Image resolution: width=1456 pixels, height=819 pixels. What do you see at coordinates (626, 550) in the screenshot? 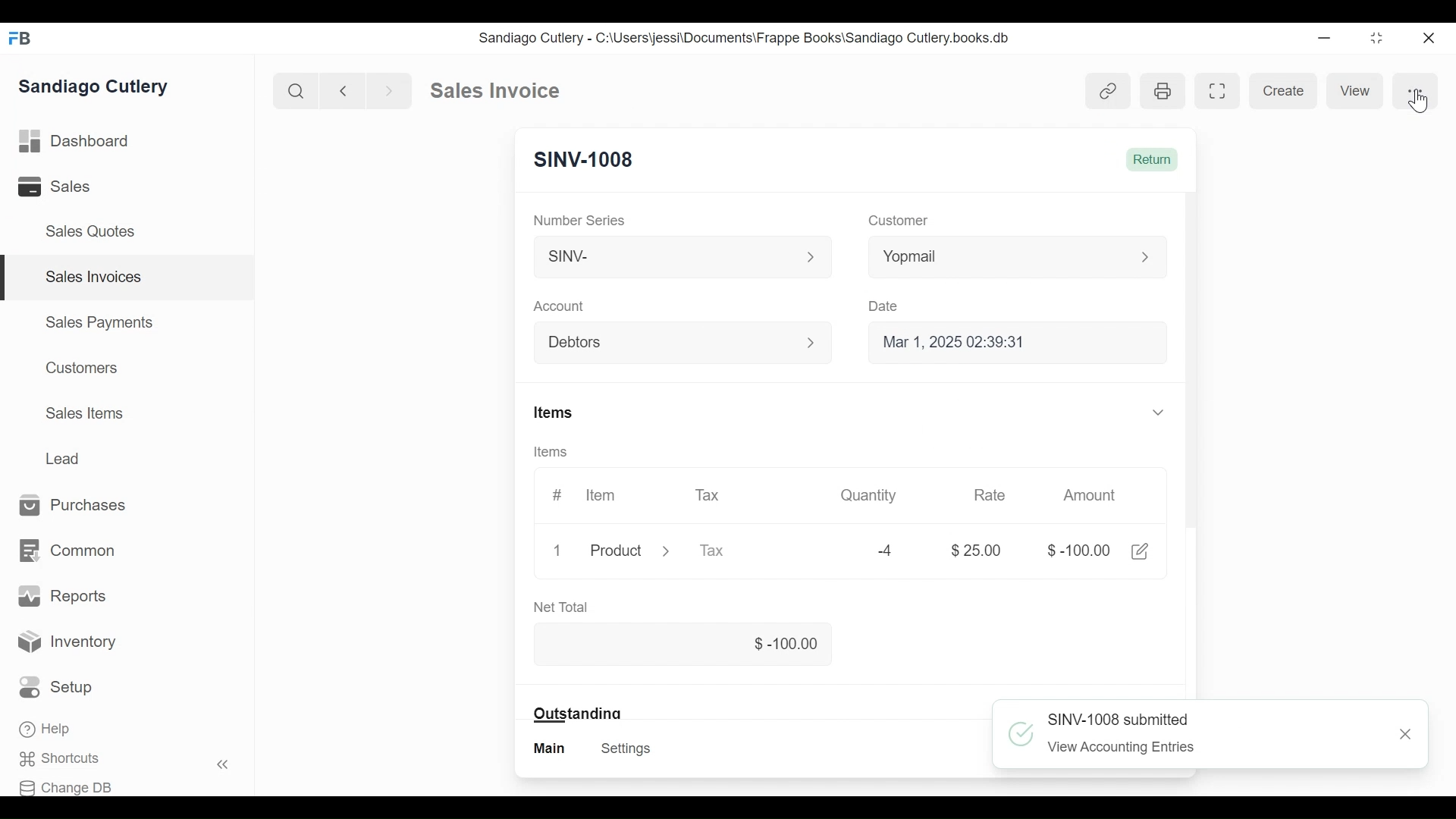
I see ` Product ` at bounding box center [626, 550].